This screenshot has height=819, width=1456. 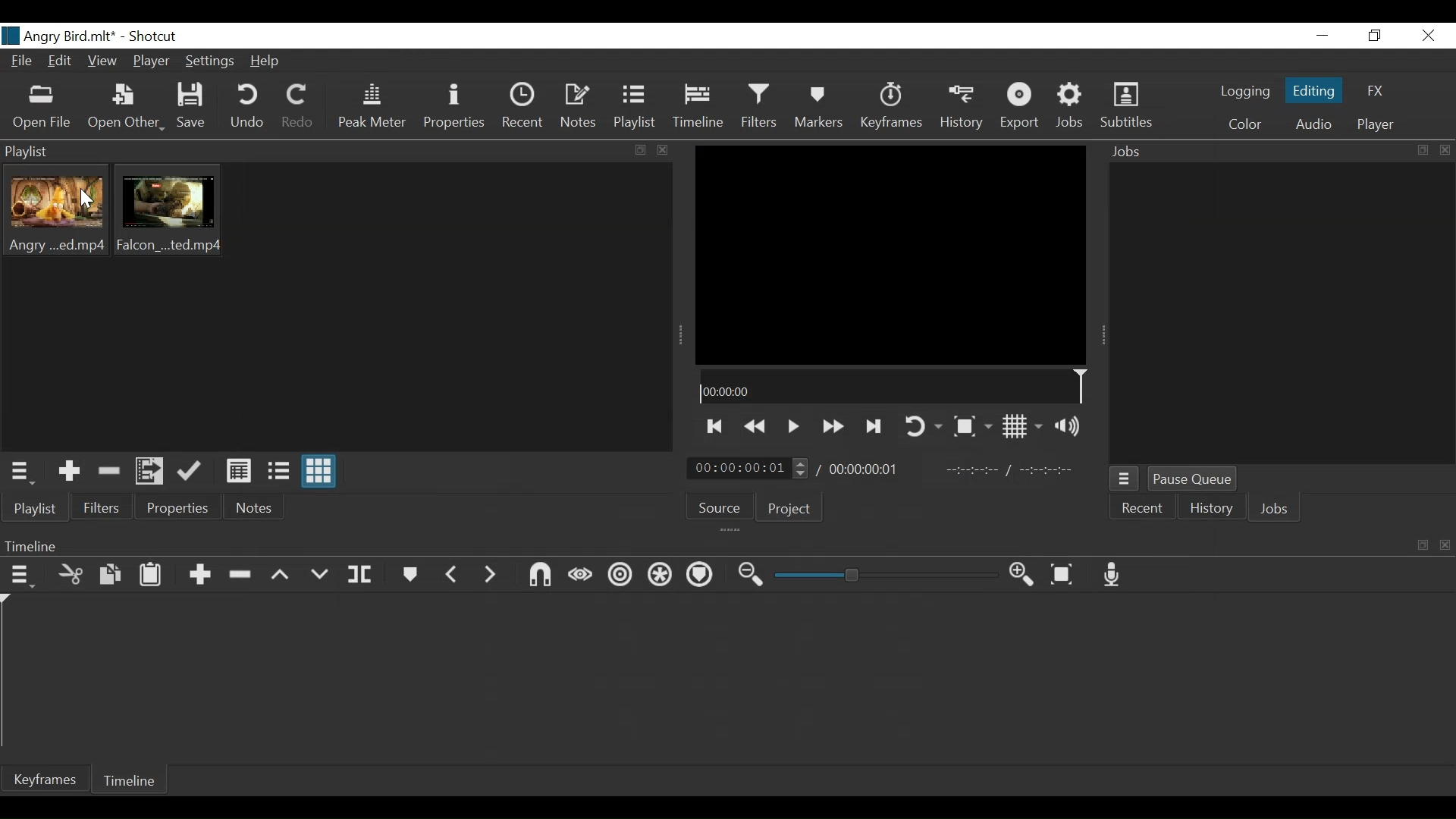 What do you see at coordinates (108, 473) in the screenshot?
I see `Remove cut` at bounding box center [108, 473].